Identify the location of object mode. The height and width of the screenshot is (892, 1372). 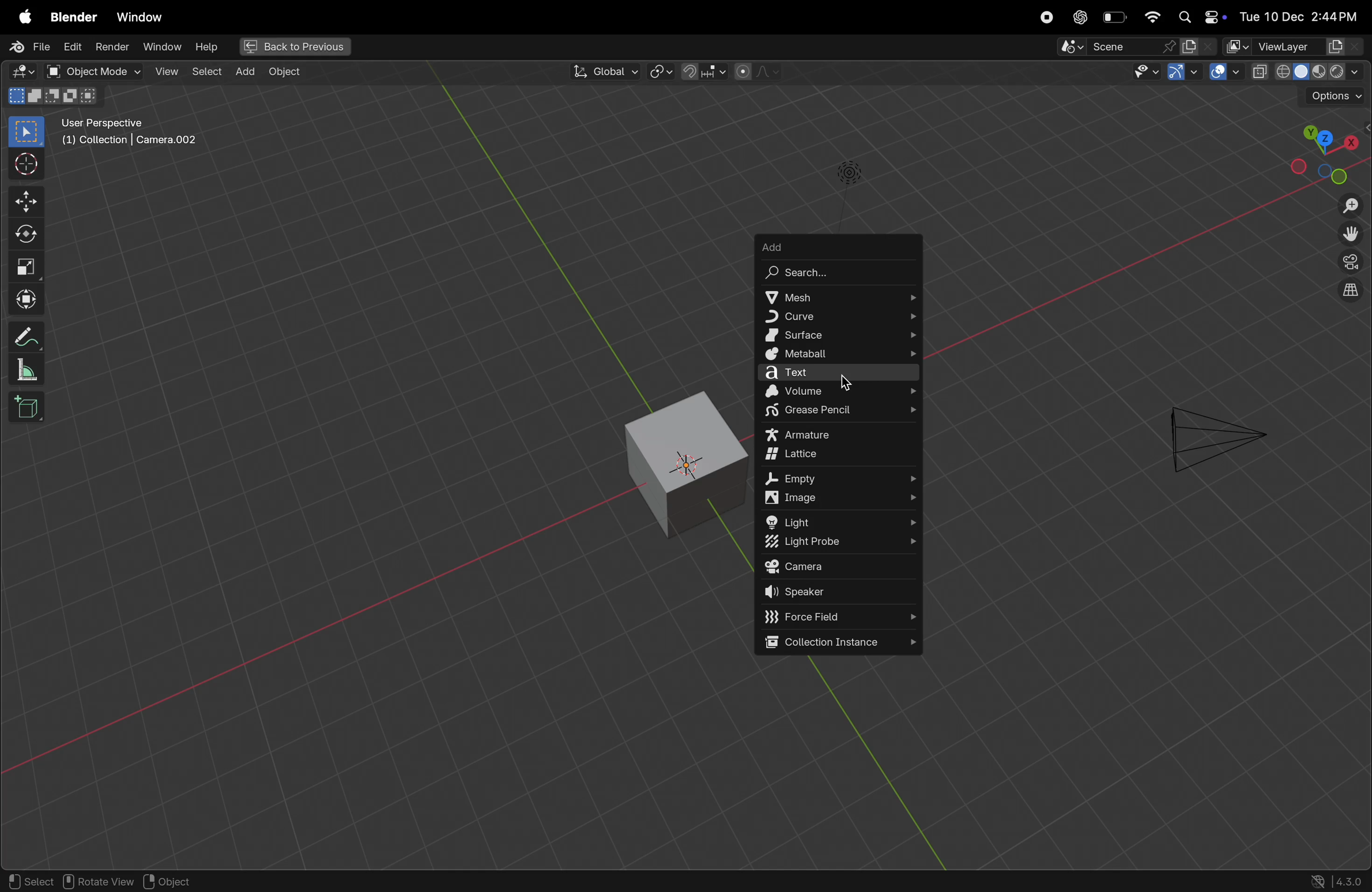
(95, 72).